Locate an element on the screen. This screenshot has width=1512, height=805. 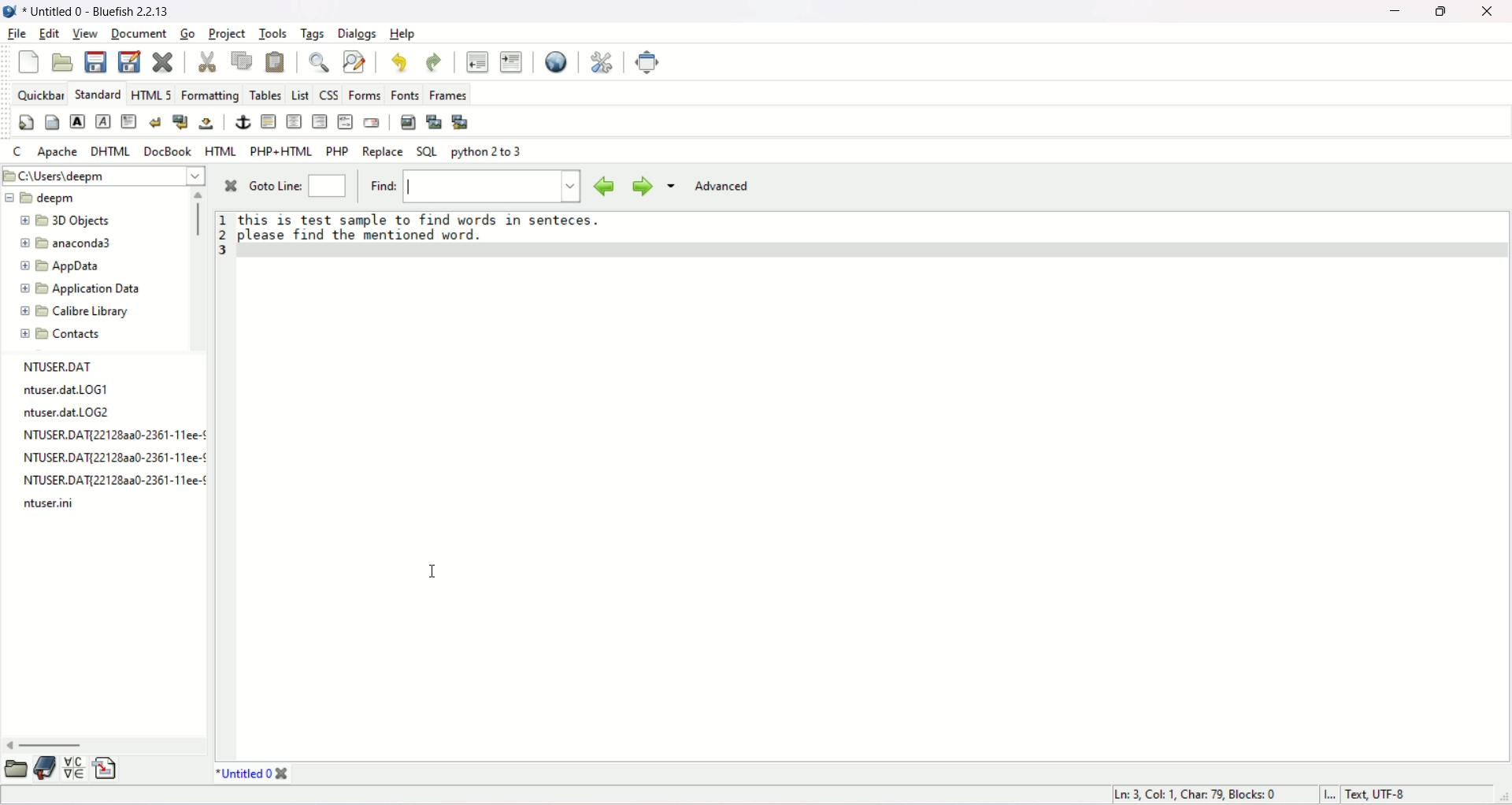
go is located at coordinates (190, 35).